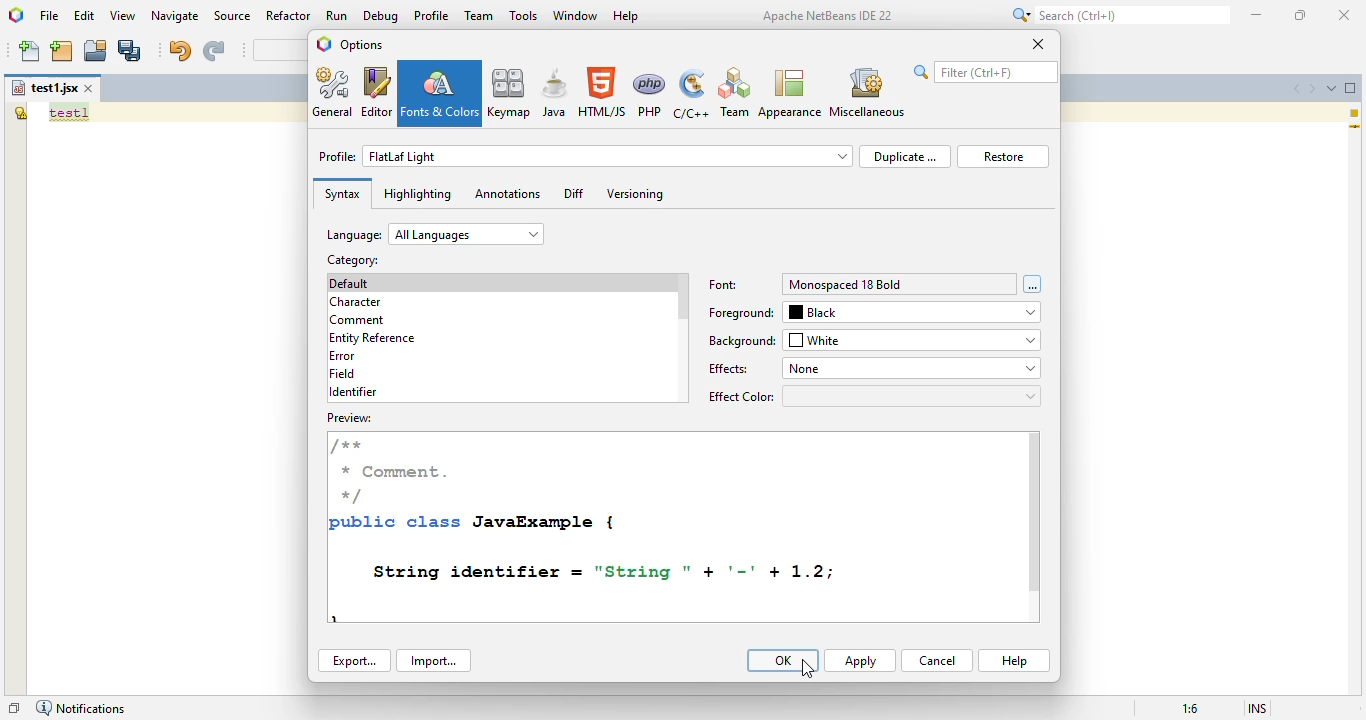 This screenshot has width=1366, height=720. Describe the element at coordinates (396, 473) in the screenshot. I see `* Comment.` at that location.